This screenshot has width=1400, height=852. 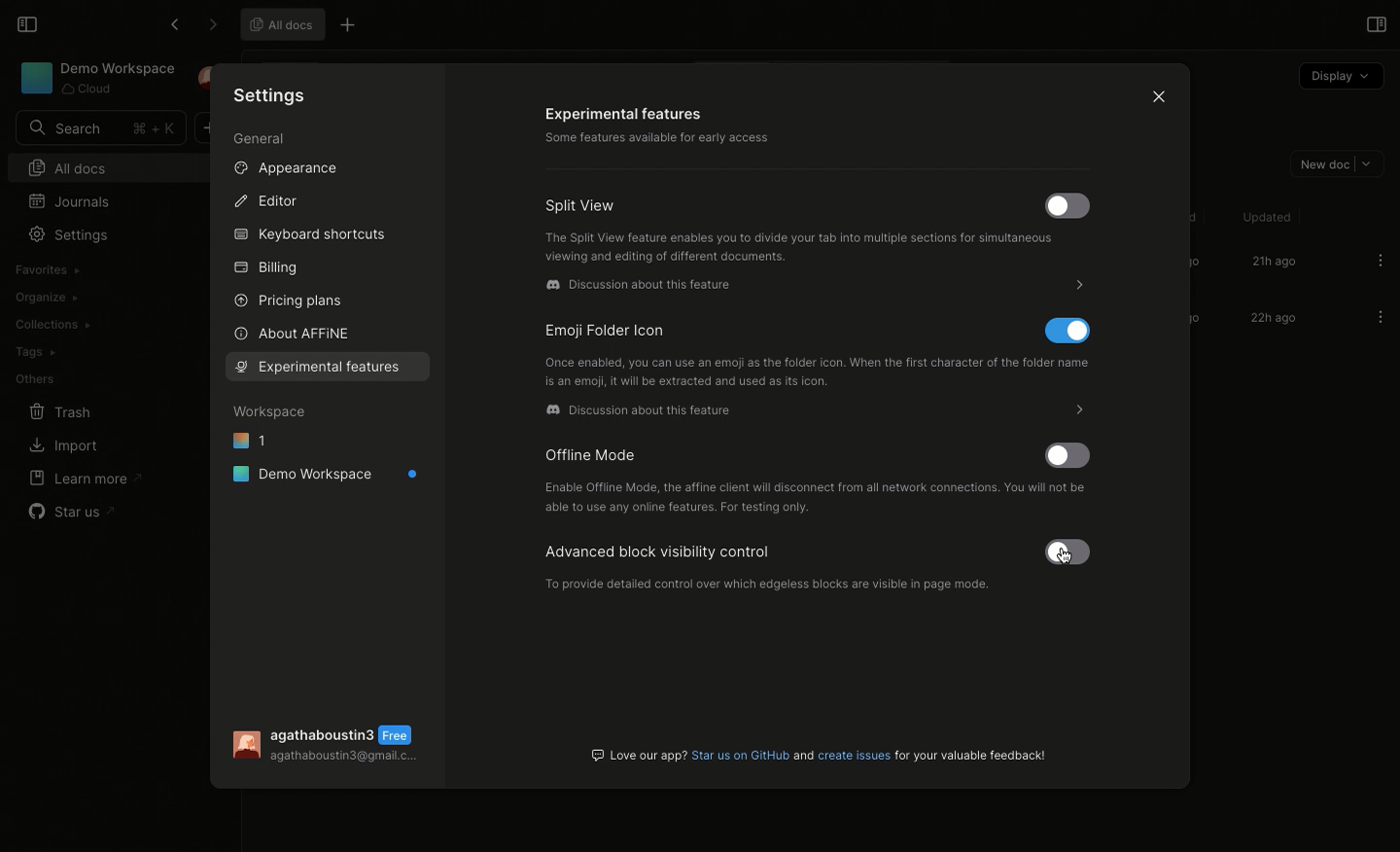 What do you see at coordinates (261, 141) in the screenshot?
I see `General` at bounding box center [261, 141].